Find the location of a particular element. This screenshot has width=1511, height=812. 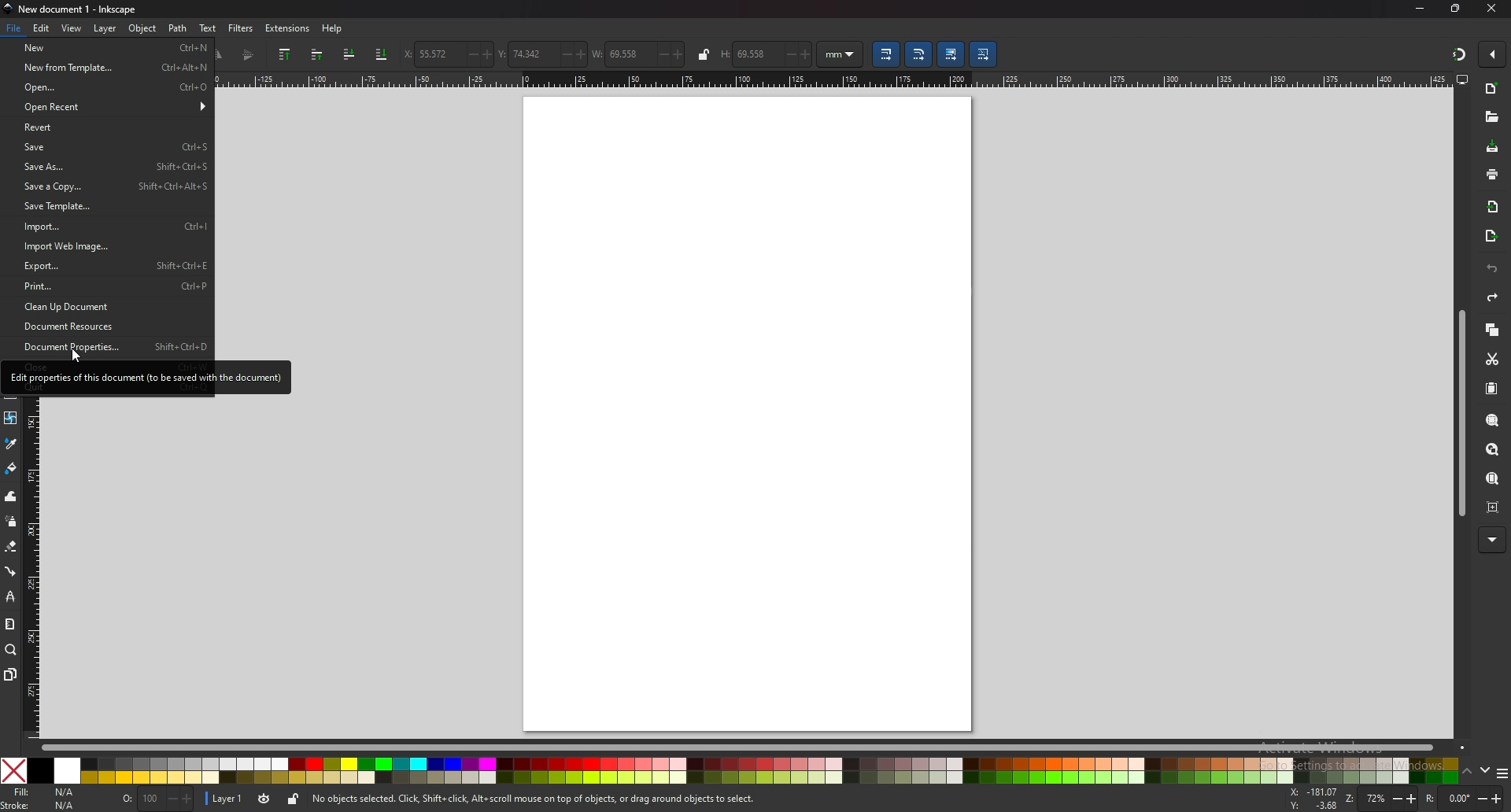

69.558 is located at coordinates (755, 55).